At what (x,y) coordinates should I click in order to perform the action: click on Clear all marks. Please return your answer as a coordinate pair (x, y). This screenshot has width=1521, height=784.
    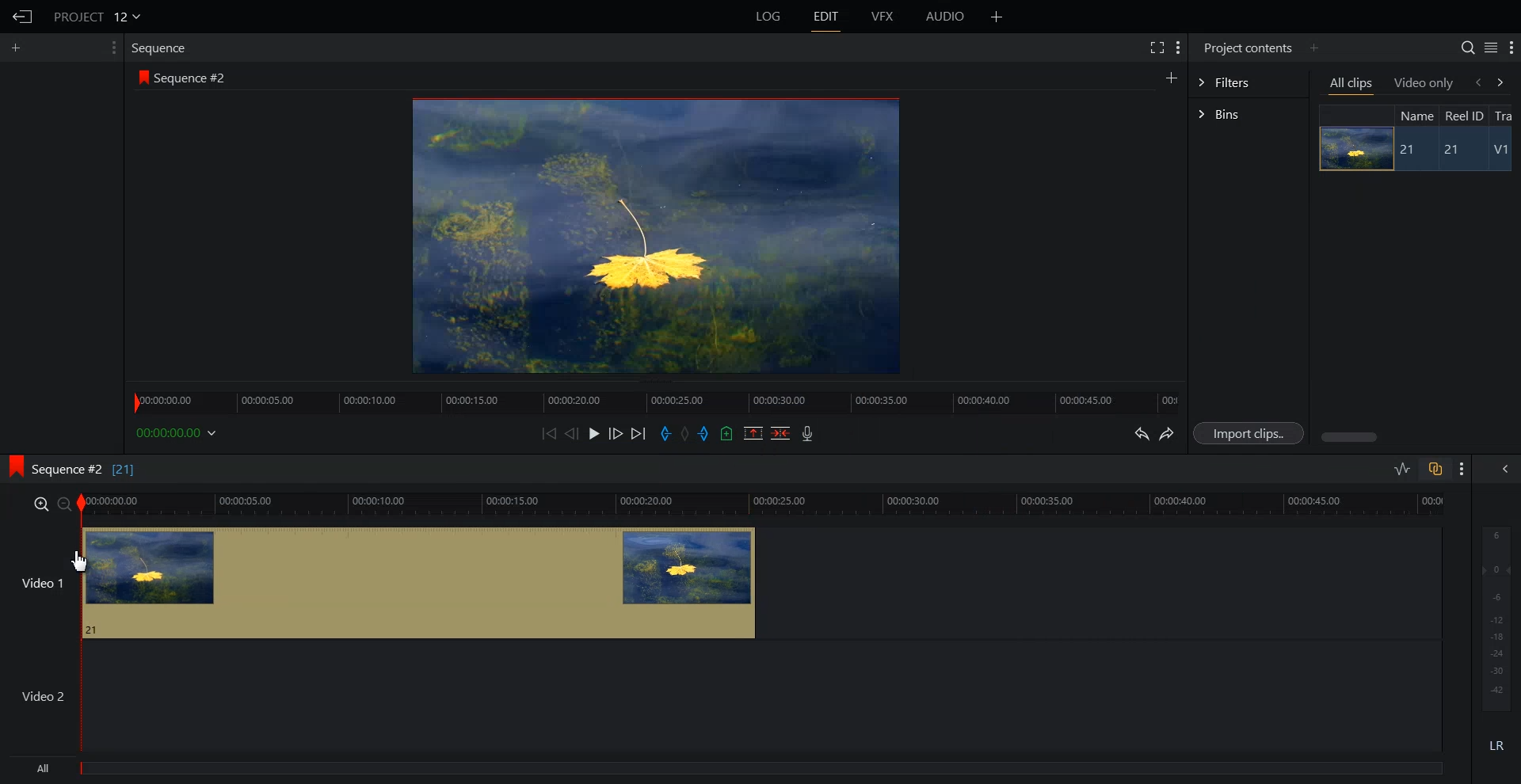
    Looking at the image, I should click on (686, 434).